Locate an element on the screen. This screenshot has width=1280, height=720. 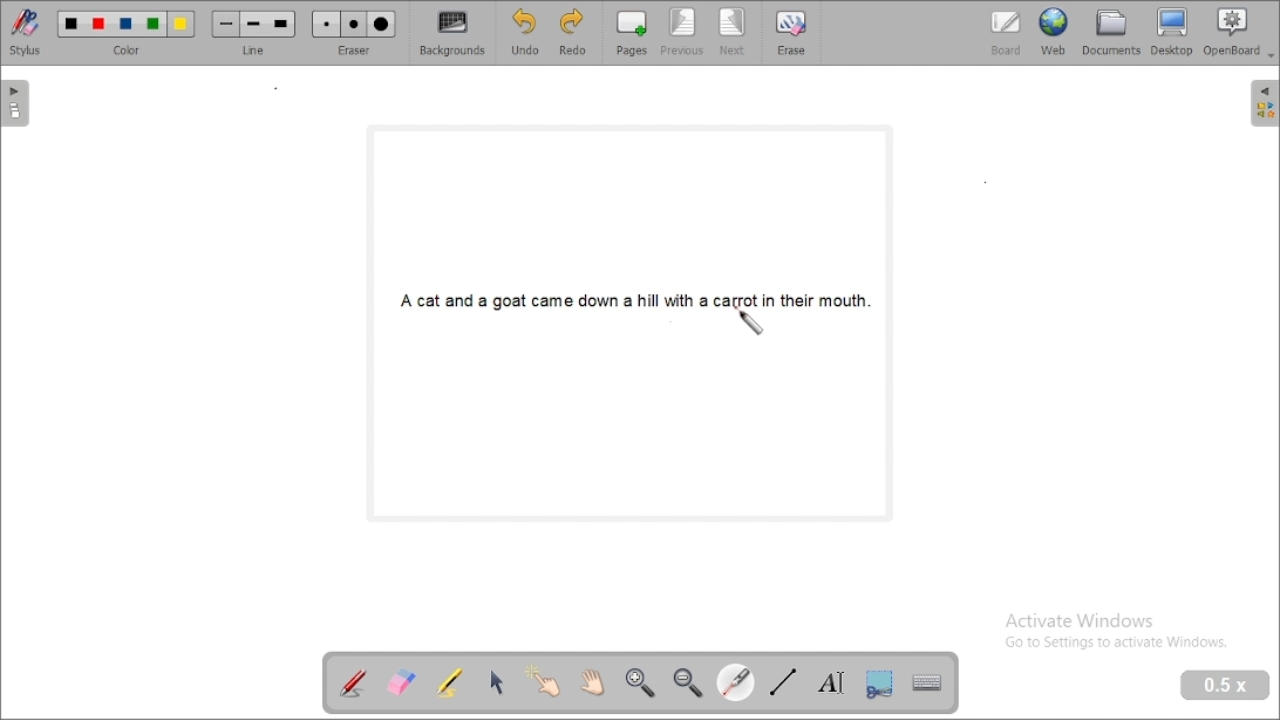
undo is located at coordinates (525, 33).